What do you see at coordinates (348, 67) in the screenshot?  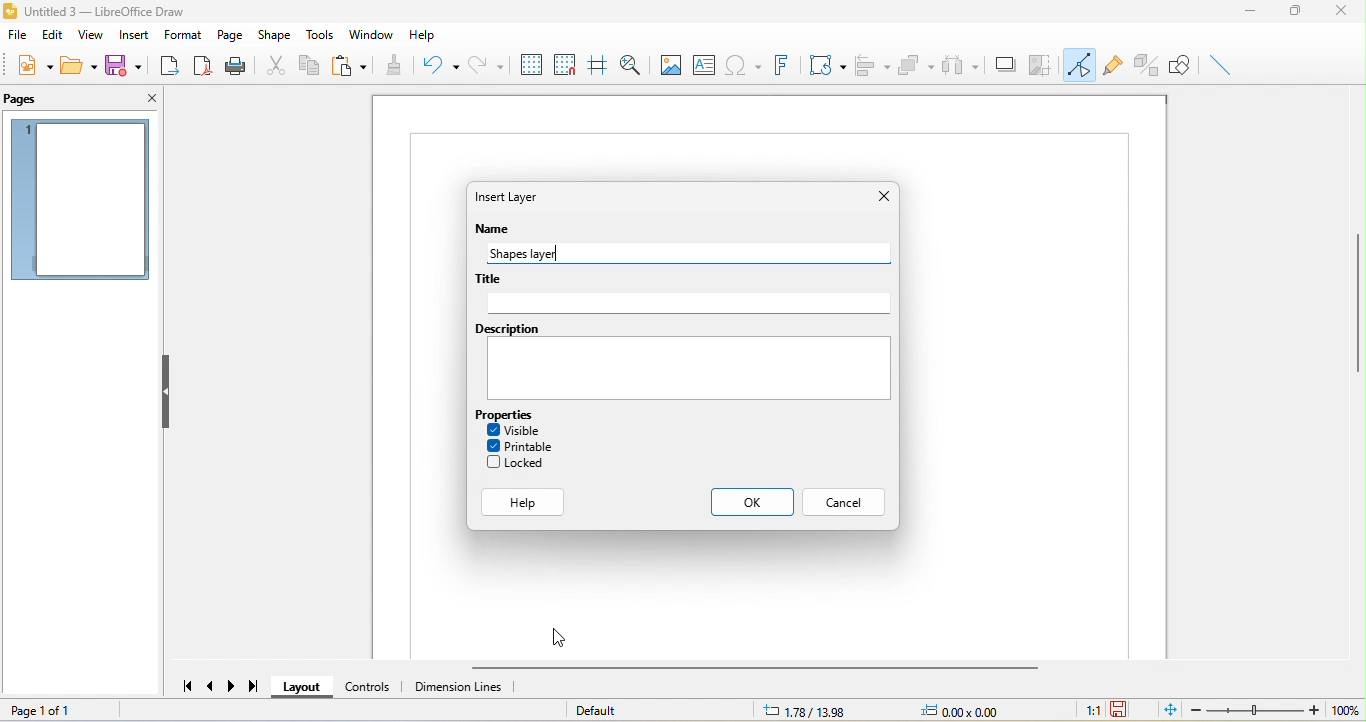 I see `paste` at bounding box center [348, 67].